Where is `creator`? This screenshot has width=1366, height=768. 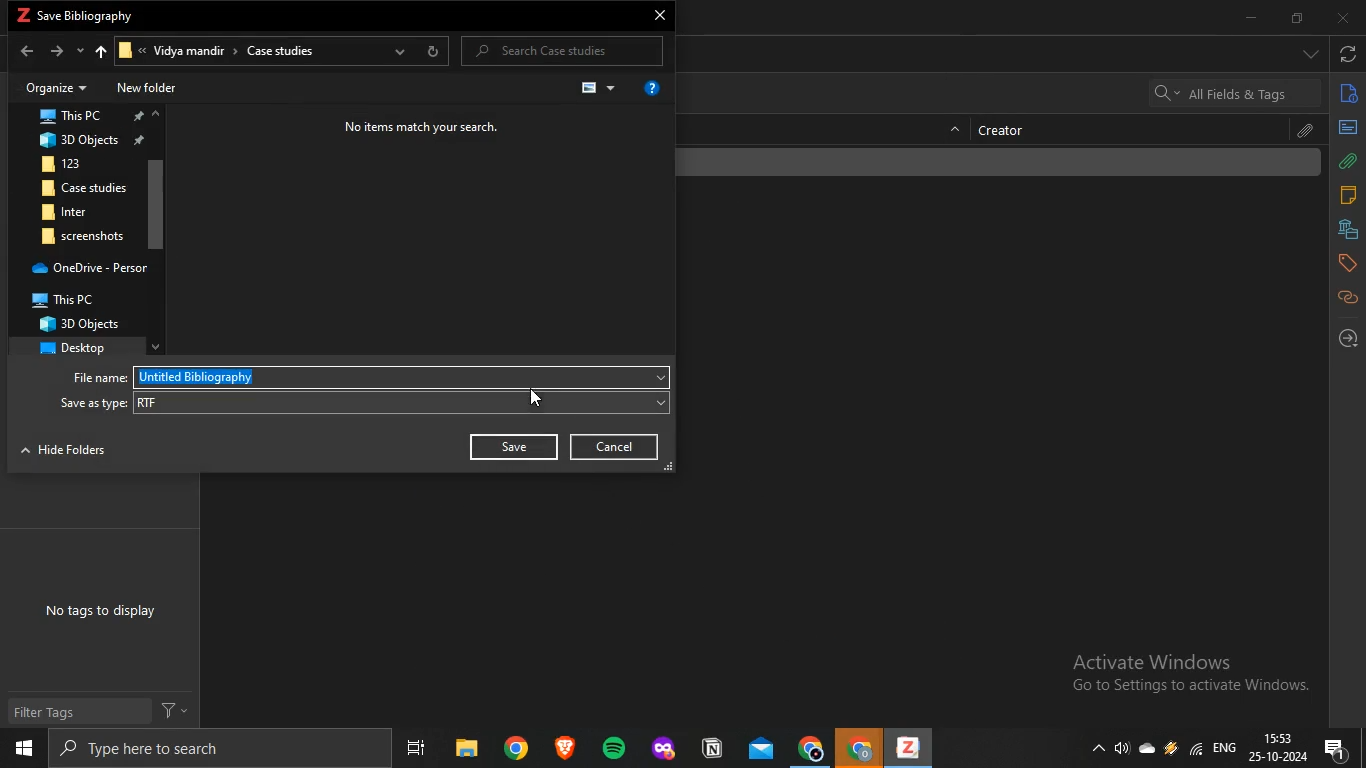
creator is located at coordinates (1009, 129).